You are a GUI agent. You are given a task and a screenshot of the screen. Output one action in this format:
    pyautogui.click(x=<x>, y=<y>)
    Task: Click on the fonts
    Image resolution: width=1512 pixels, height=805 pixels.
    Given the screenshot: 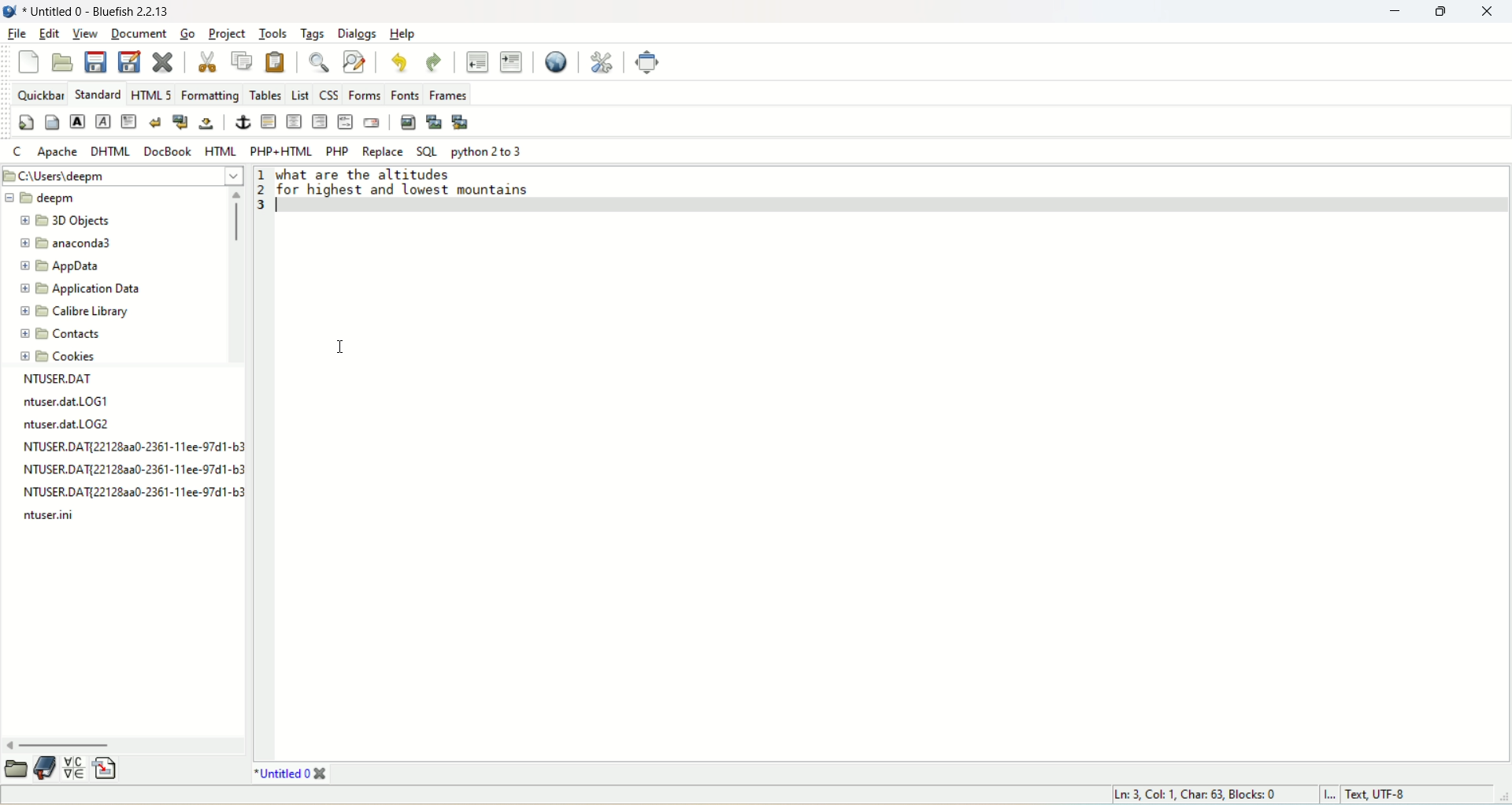 What is the action you would take?
    pyautogui.click(x=403, y=92)
    